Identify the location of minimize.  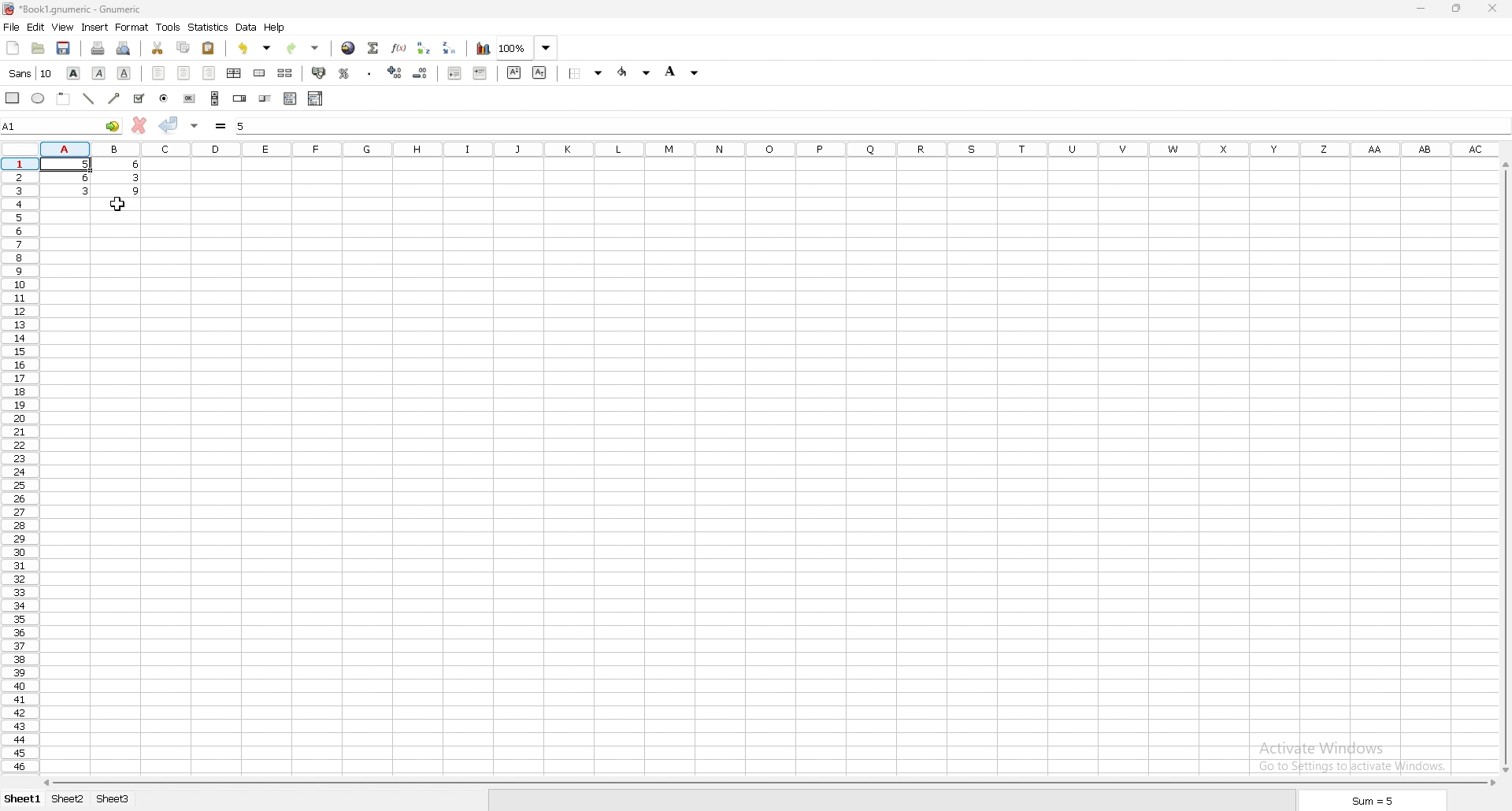
(1421, 9).